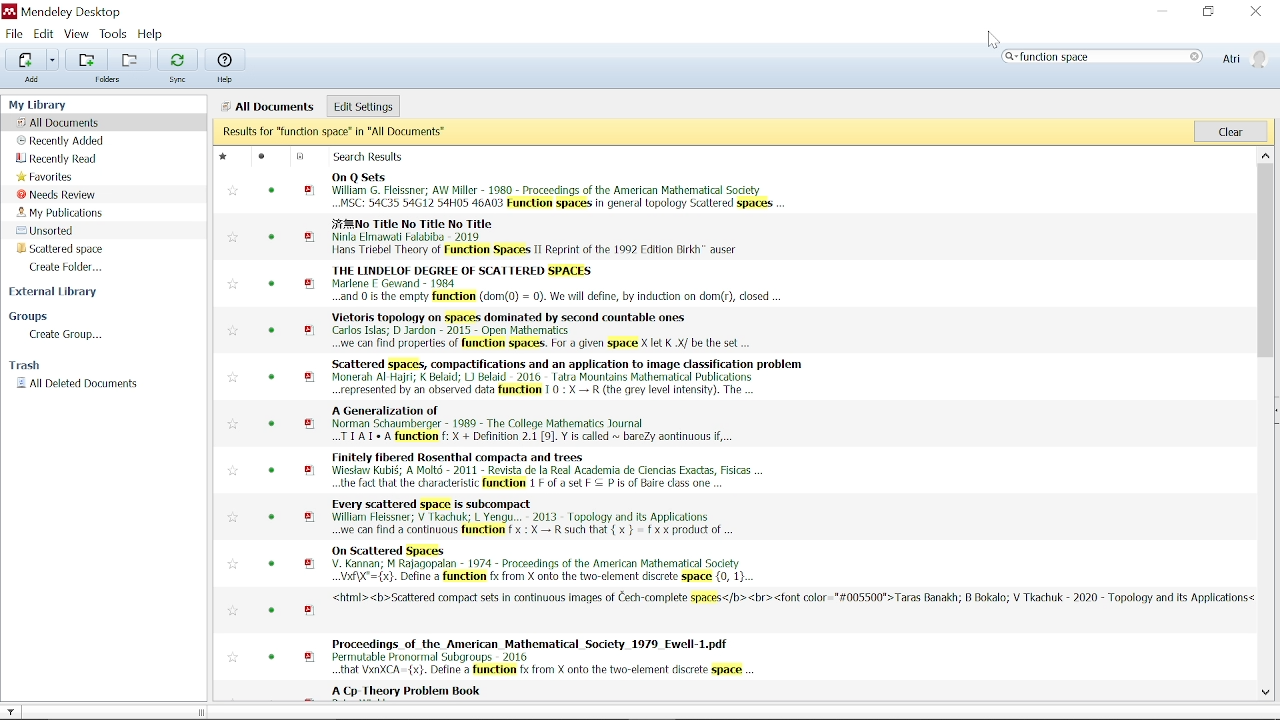  What do you see at coordinates (154, 33) in the screenshot?
I see `Help` at bounding box center [154, 33].